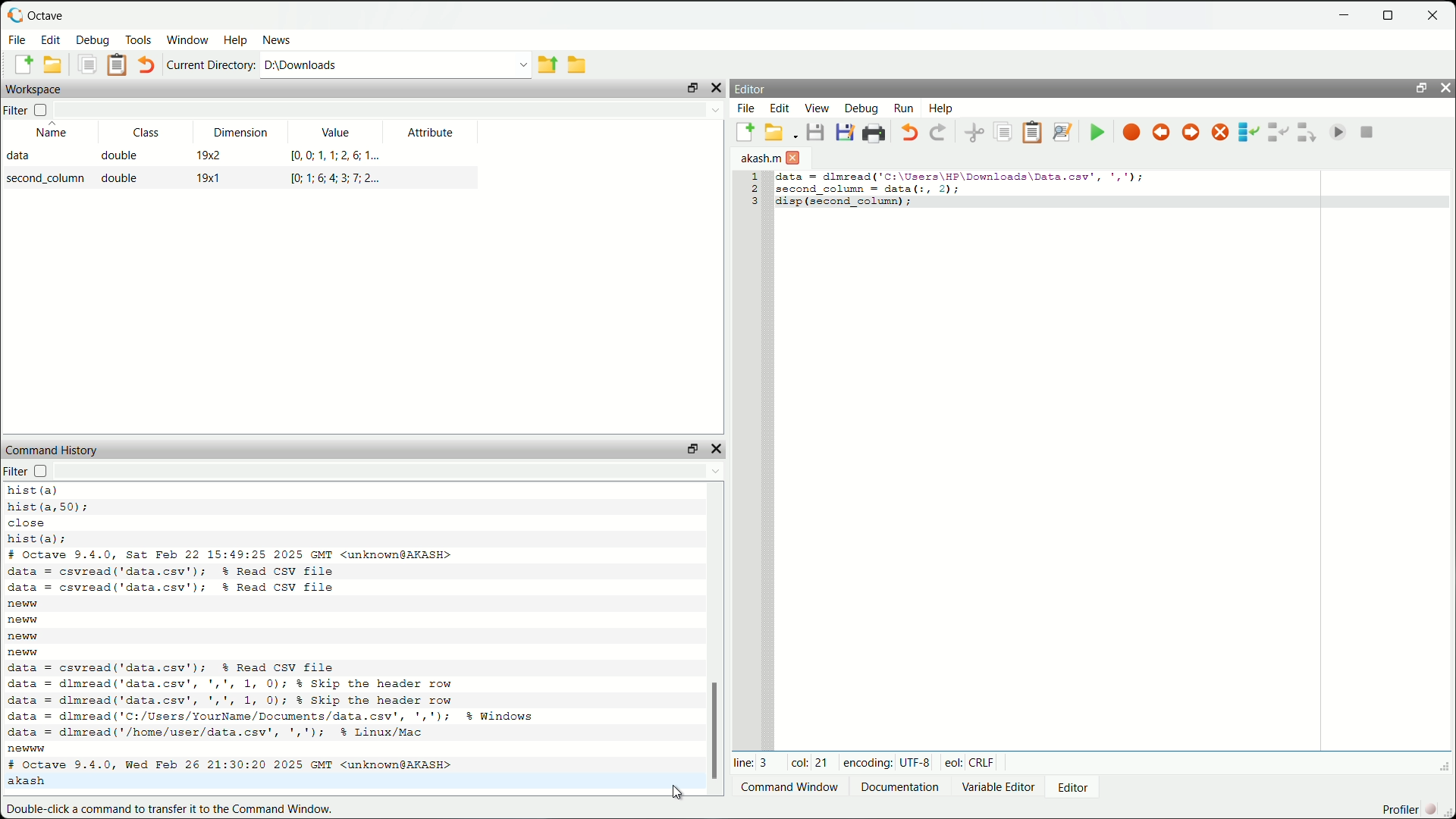 Image resolution: width=1456 pixels, height=819 pixels. What do you see at coordinates (1062, 132) in the screenshot?
I see `find and replace` at bounding box center [1062, 132].